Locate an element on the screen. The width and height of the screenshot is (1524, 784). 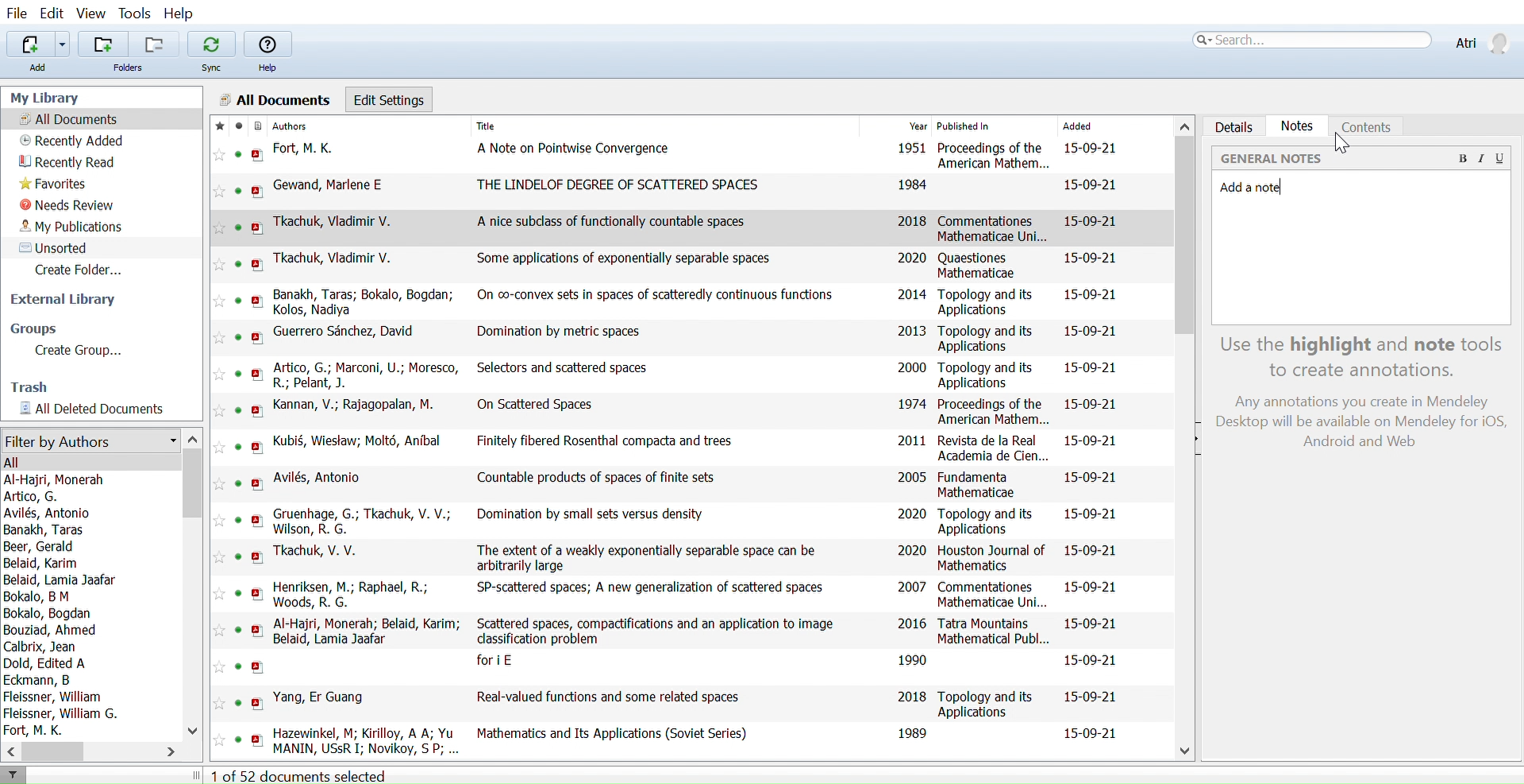
Add is located at coordinates (36, 67).